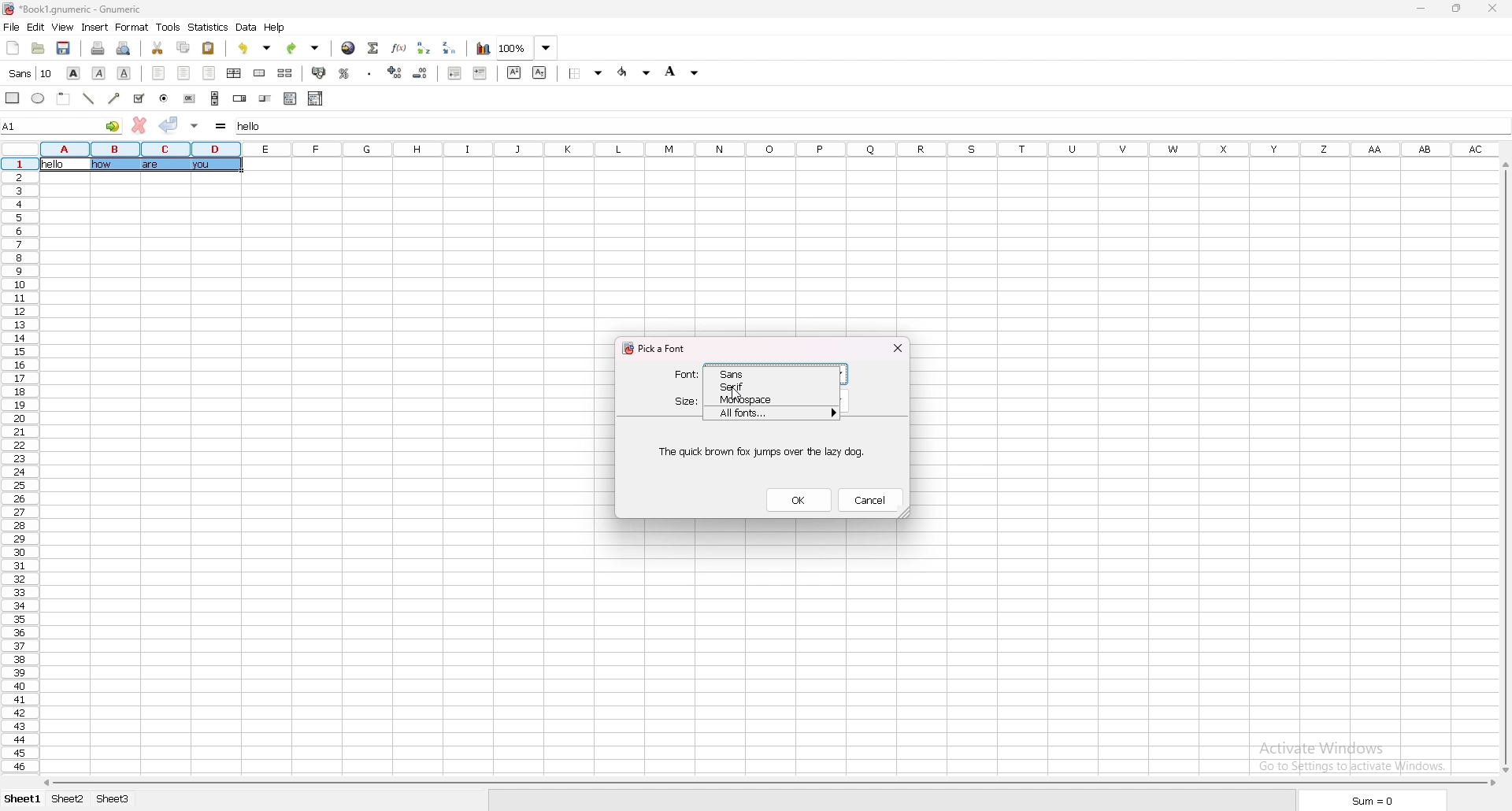 This screenshot has width=1512, height=811. What do you see at coordinates (169, 124) in the screenshot?
I see `accept changes` at bounding box center [169, 124].